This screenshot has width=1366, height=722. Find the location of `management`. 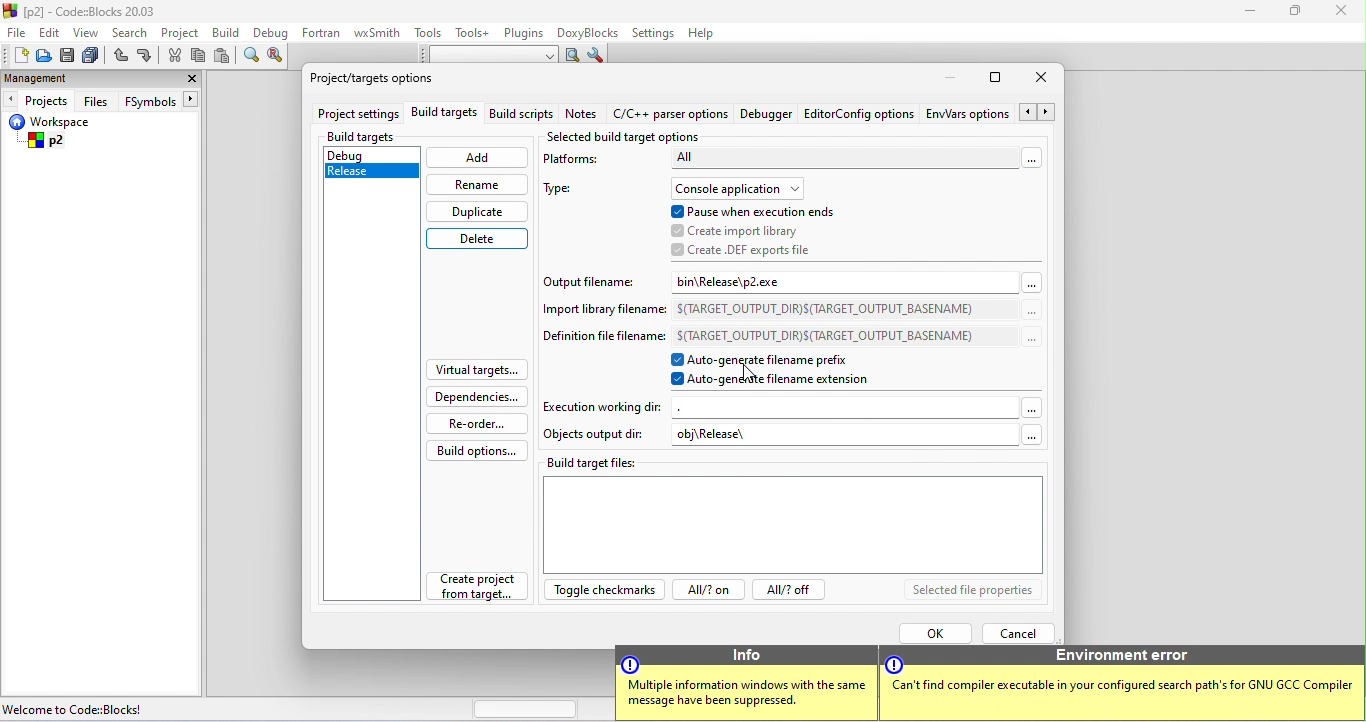

management is located at coordinates (36, 78).